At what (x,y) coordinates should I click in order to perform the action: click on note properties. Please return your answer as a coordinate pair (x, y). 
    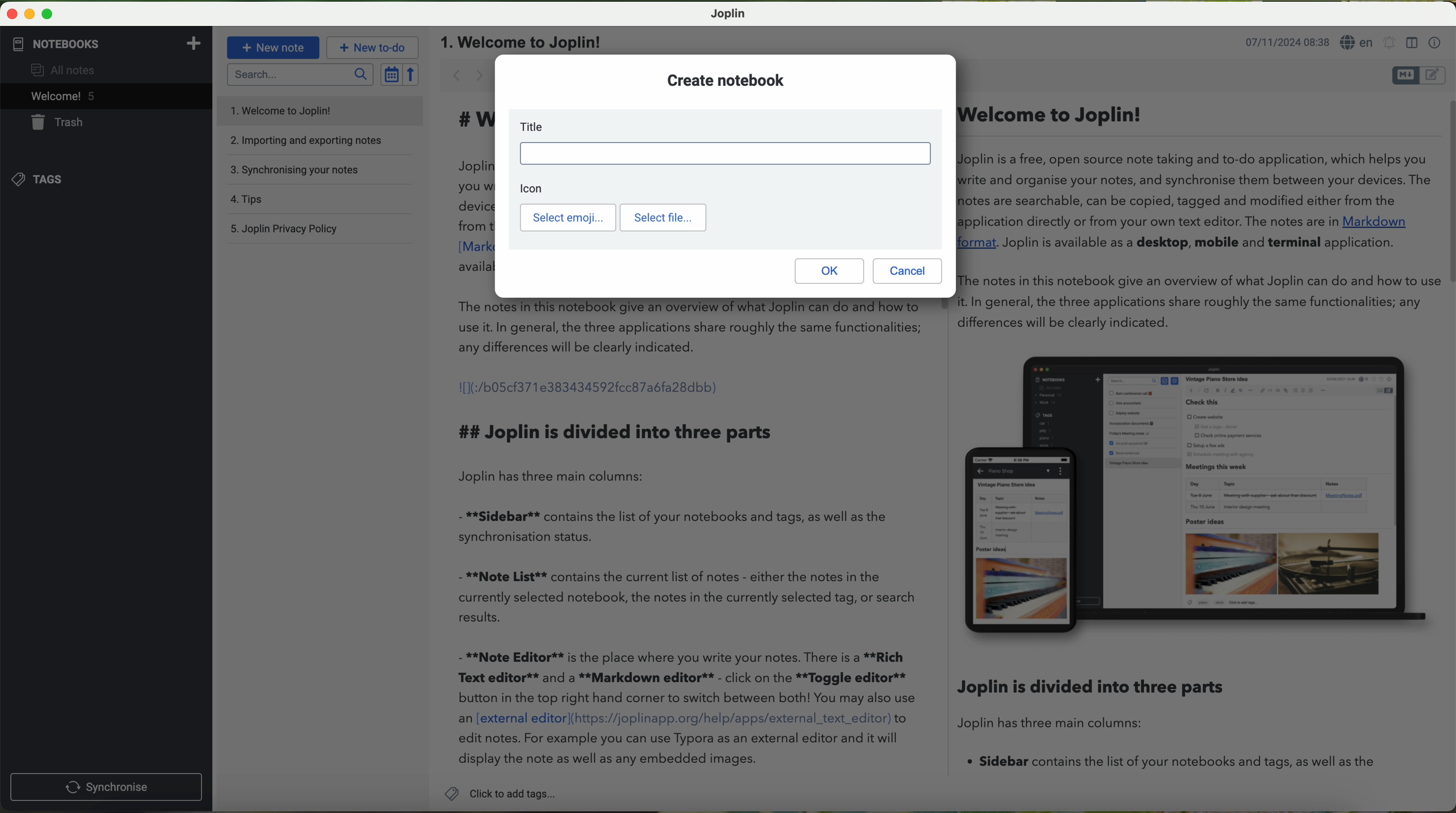
    Looking at the image, I should click on (1435, 41).